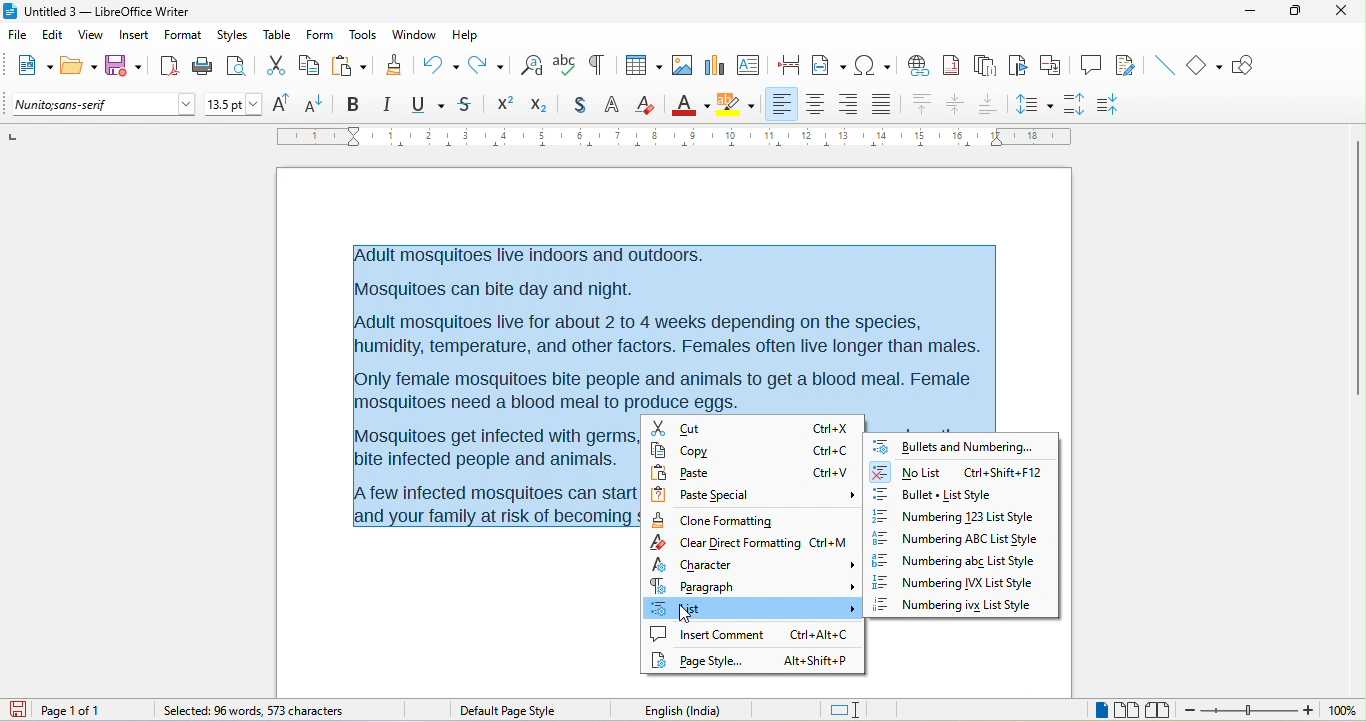 Image resolution: width=1366 pixels, height=722 pixels. What do you see at coordinates (956, 540) in the screenshot?
I see `numbering abc list style` at bounding box center [956, 540].